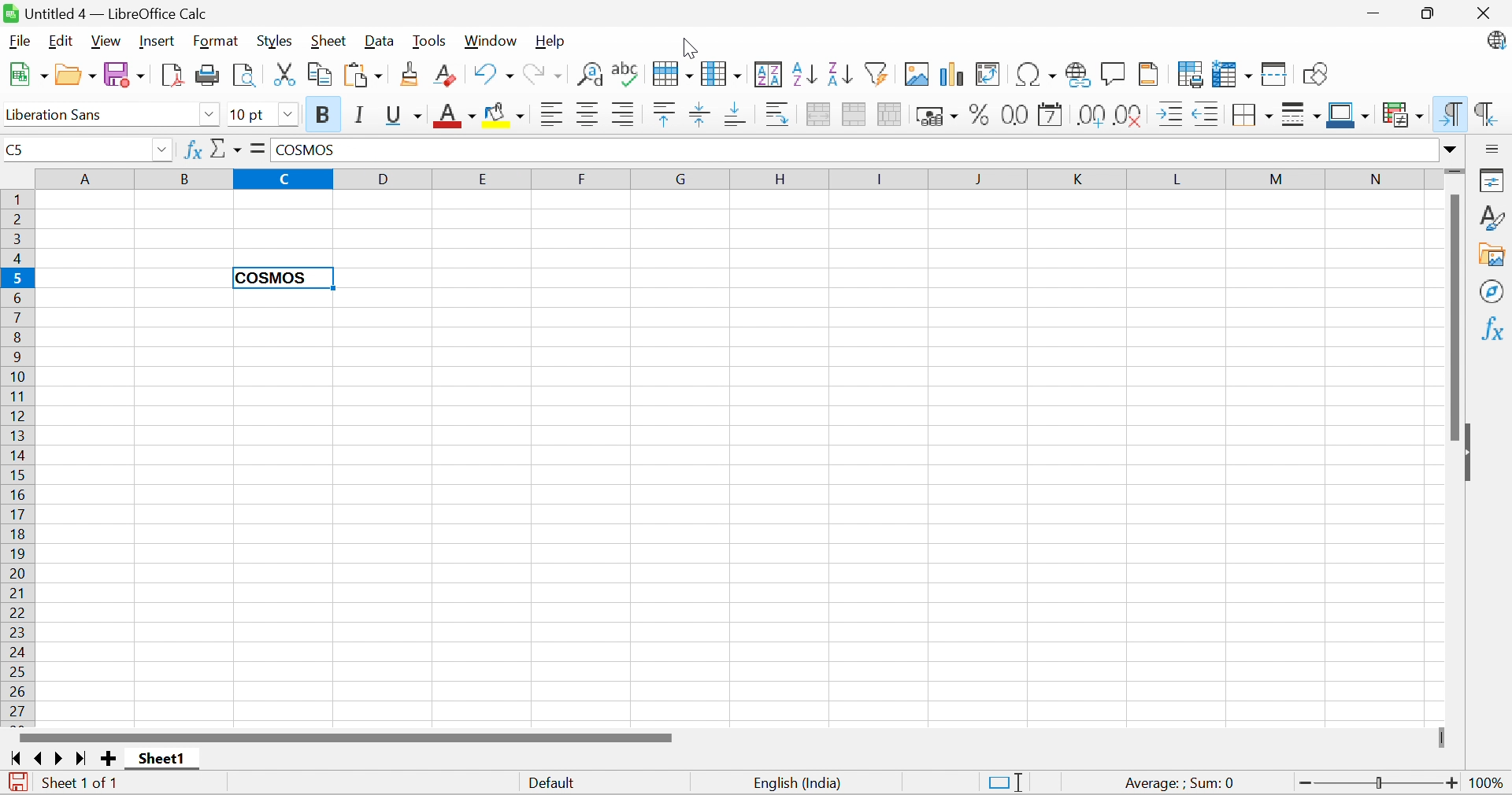 The width and height of the screenshot is (1512, 795). I want to click on Align Right, so click(626, 115).